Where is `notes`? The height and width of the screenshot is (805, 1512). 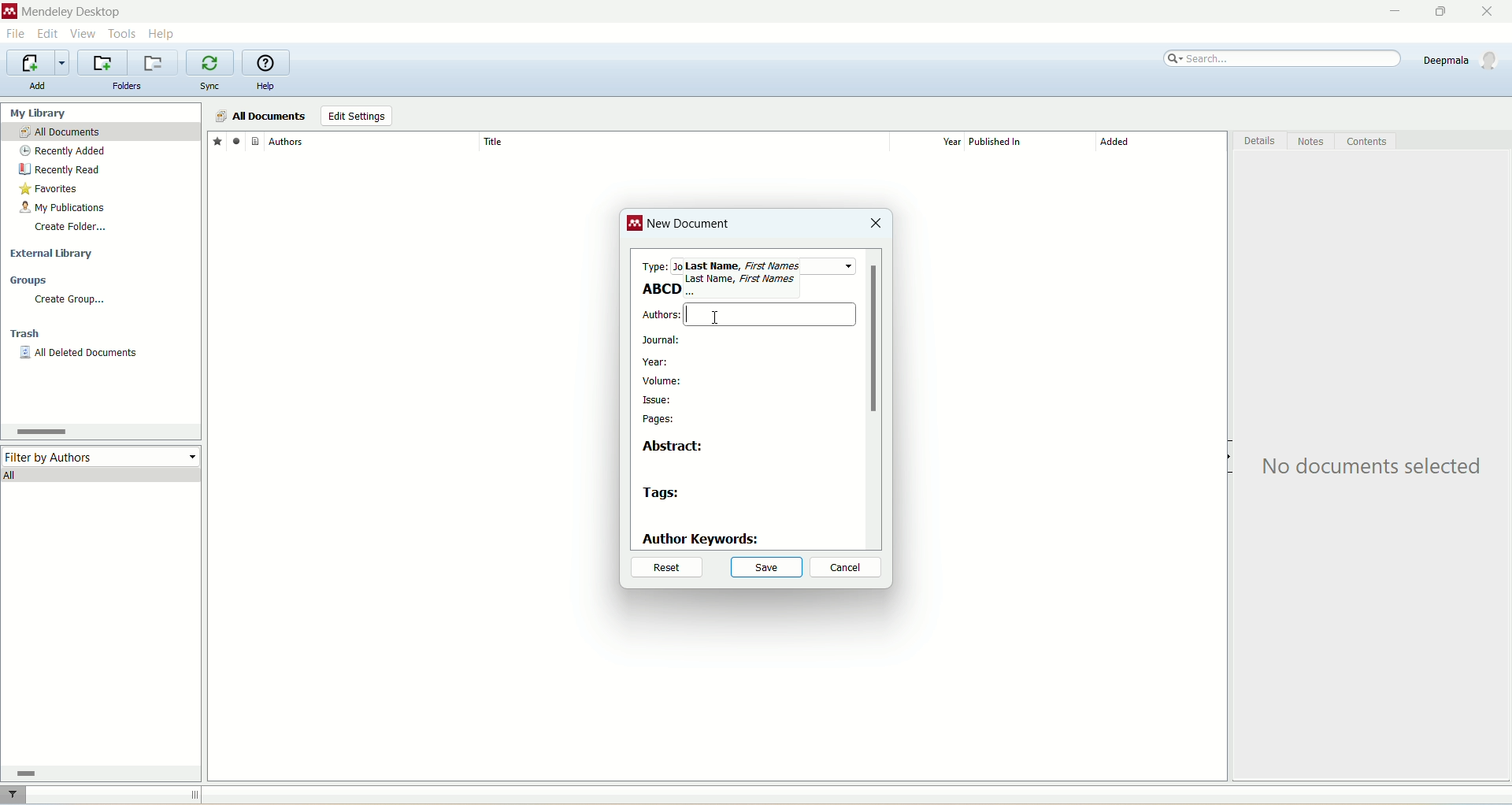
notes is located at coordinates (1313, 142).